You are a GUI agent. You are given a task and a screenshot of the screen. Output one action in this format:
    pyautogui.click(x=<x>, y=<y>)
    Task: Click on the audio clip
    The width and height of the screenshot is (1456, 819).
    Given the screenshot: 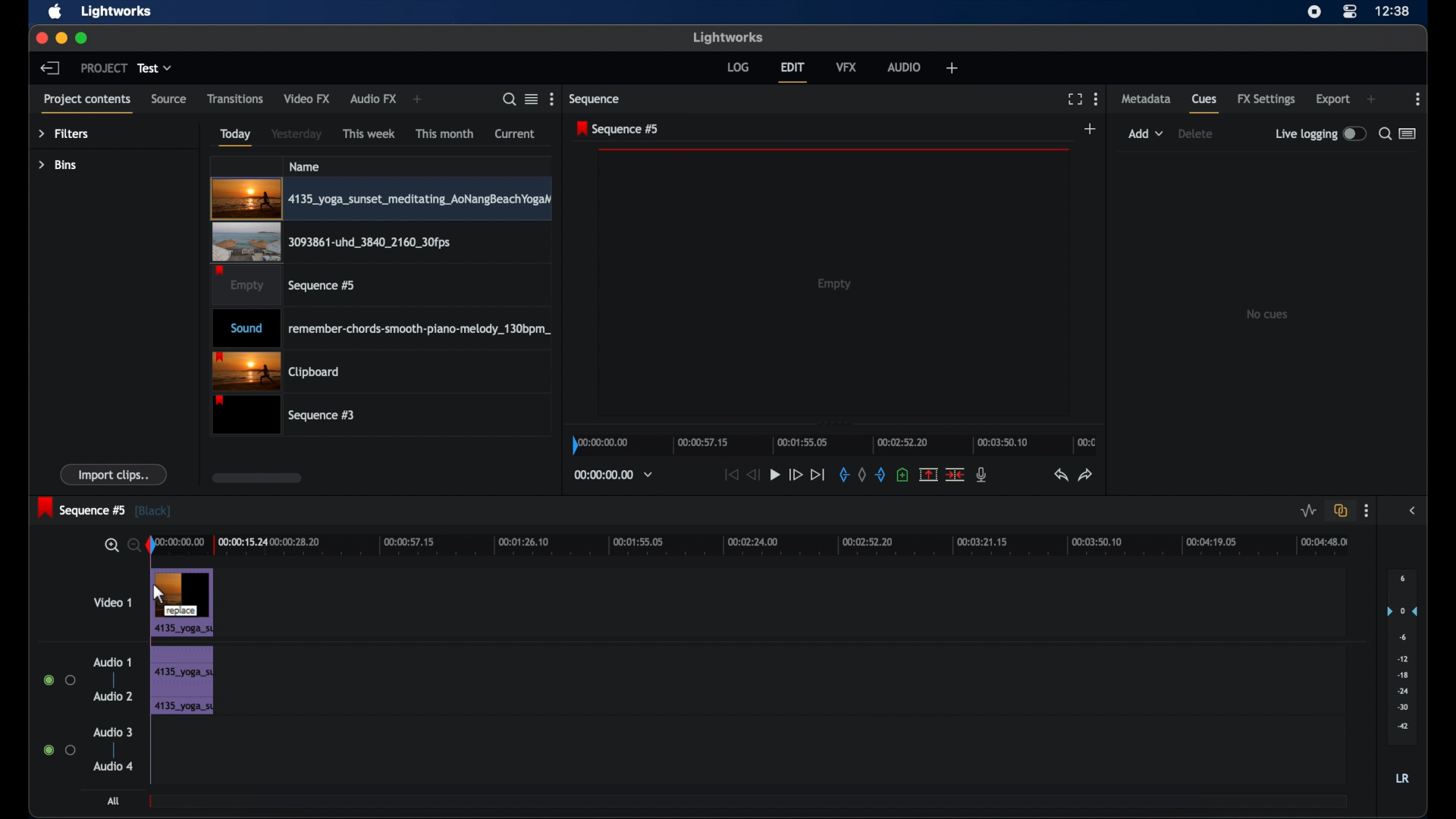 What is the action you would take?
    pyautogui.click(x=381, y=328)
    